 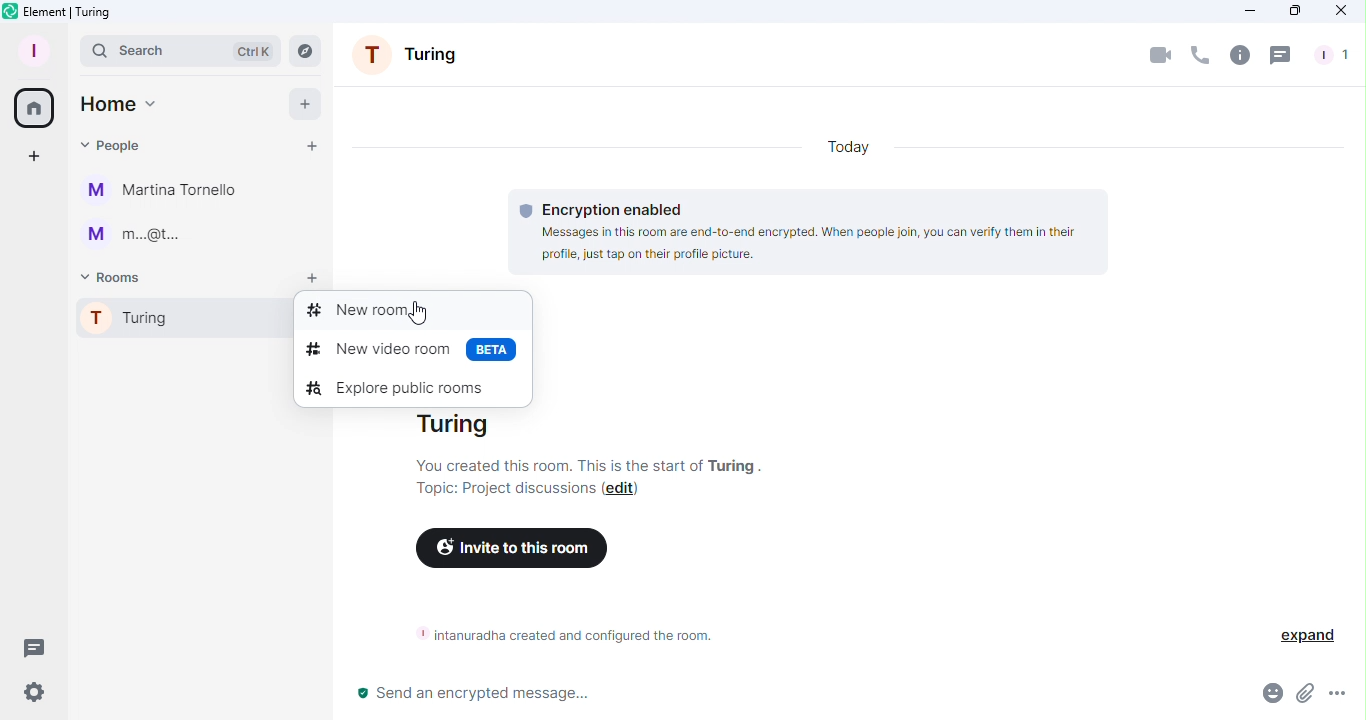 I want to click on Close, so click(x=1341, y=13).